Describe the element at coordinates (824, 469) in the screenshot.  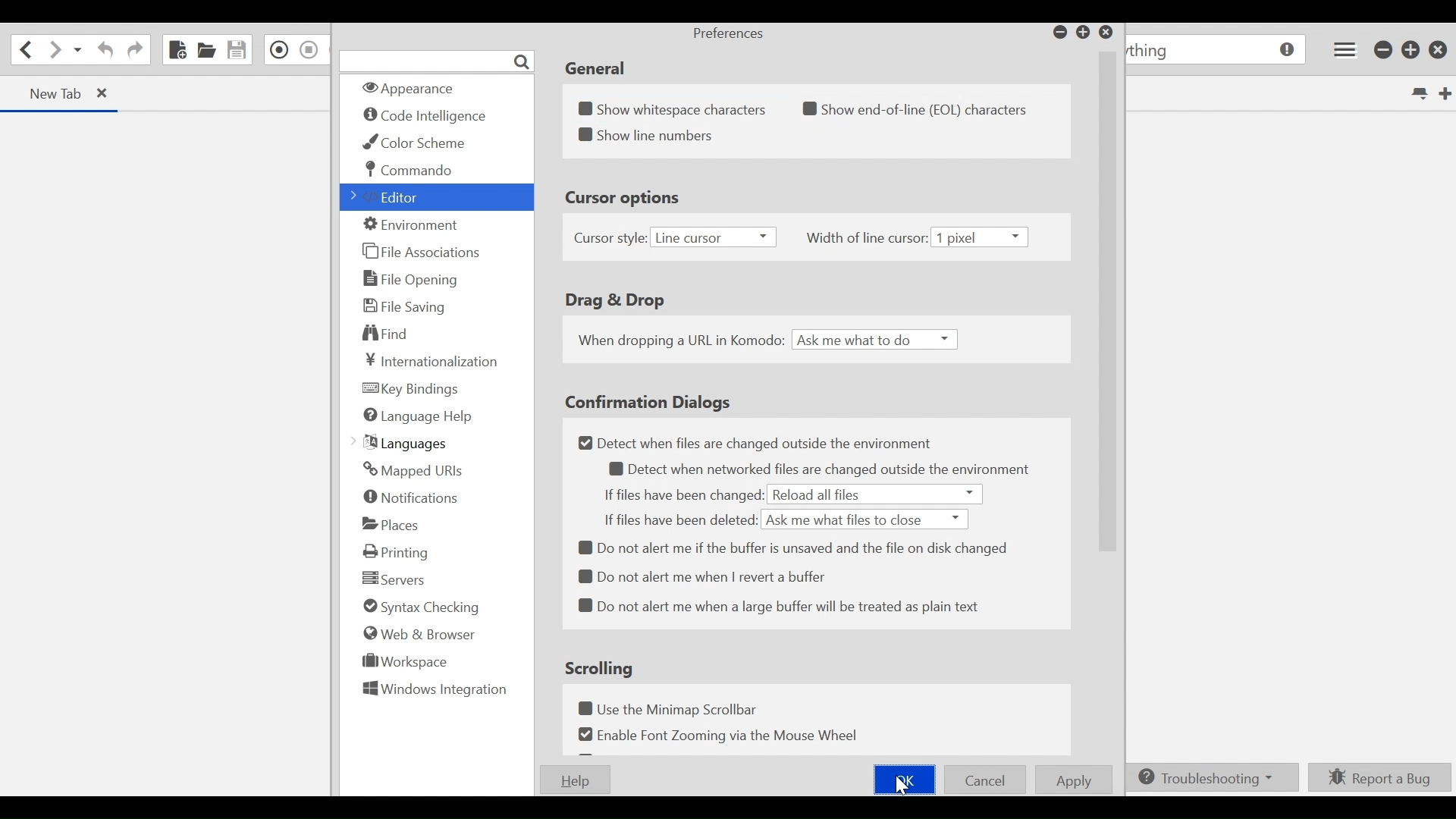
I see `Detect when networked files are changed outside the environment` at that location.